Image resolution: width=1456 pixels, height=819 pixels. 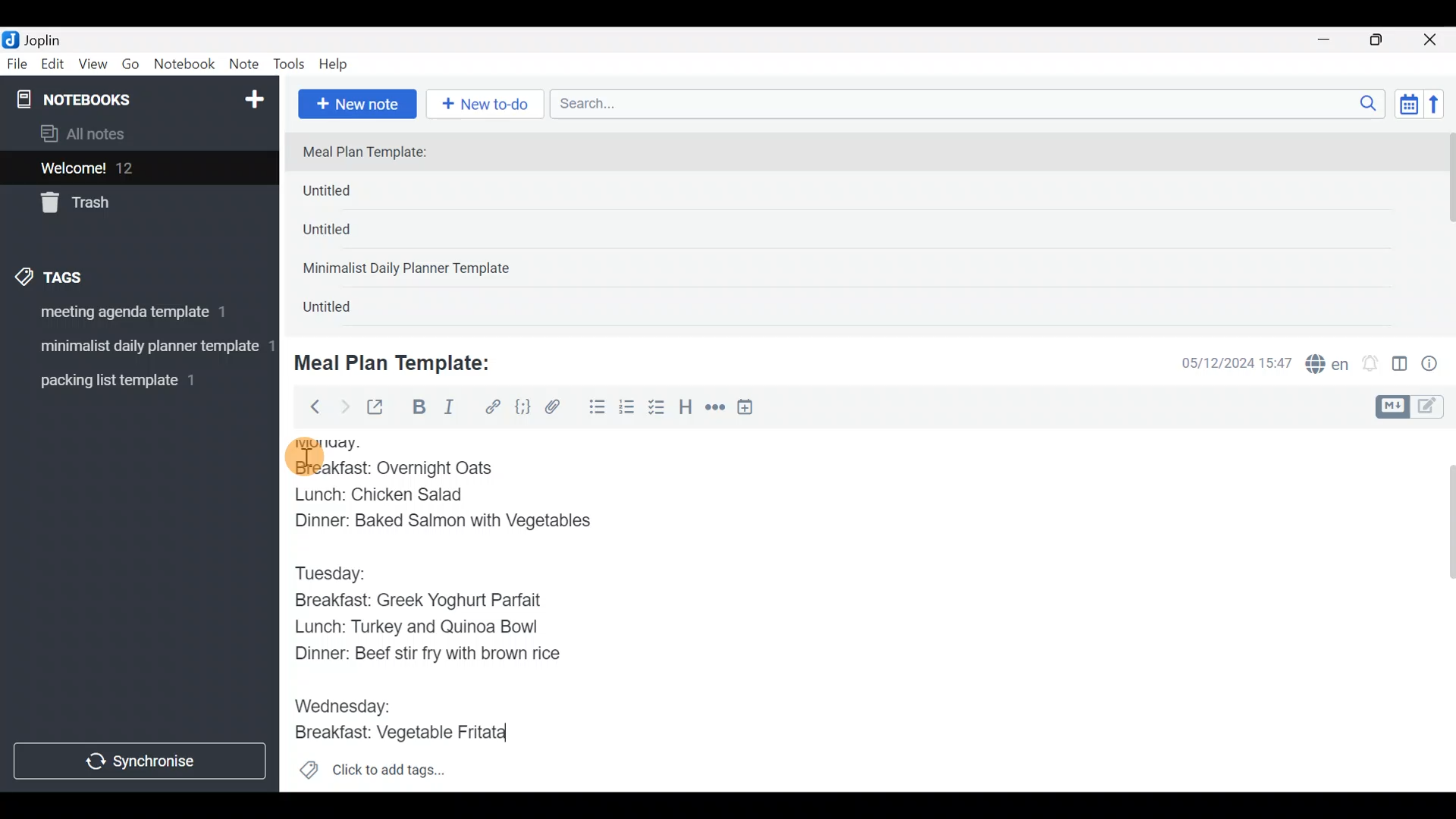 What do you see at coordinates (1432, 41) in the screenshot?
I see `Close` at bounding box center [1432, 41].